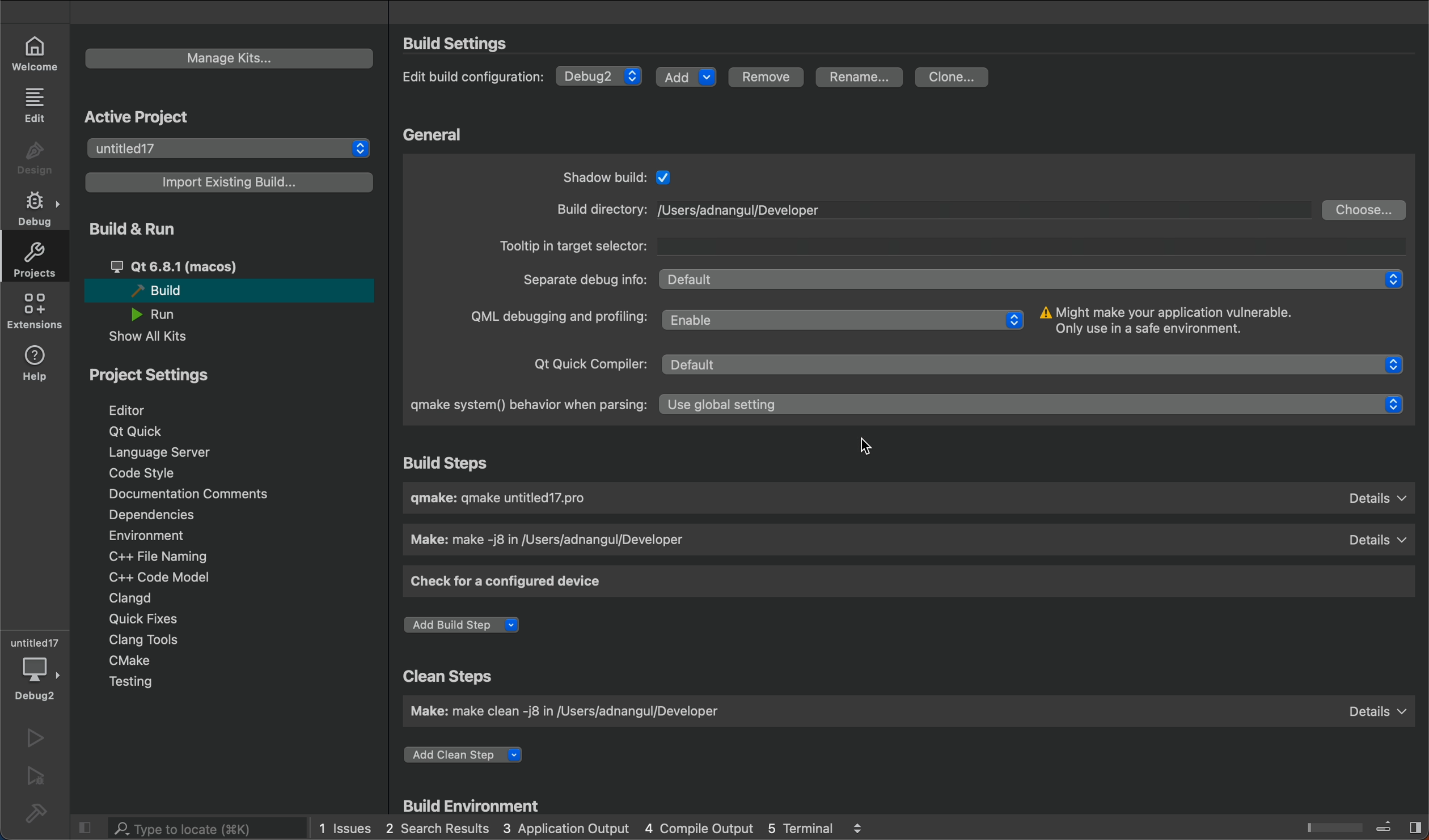  I want to click on use global setting, so click(1038, 406).